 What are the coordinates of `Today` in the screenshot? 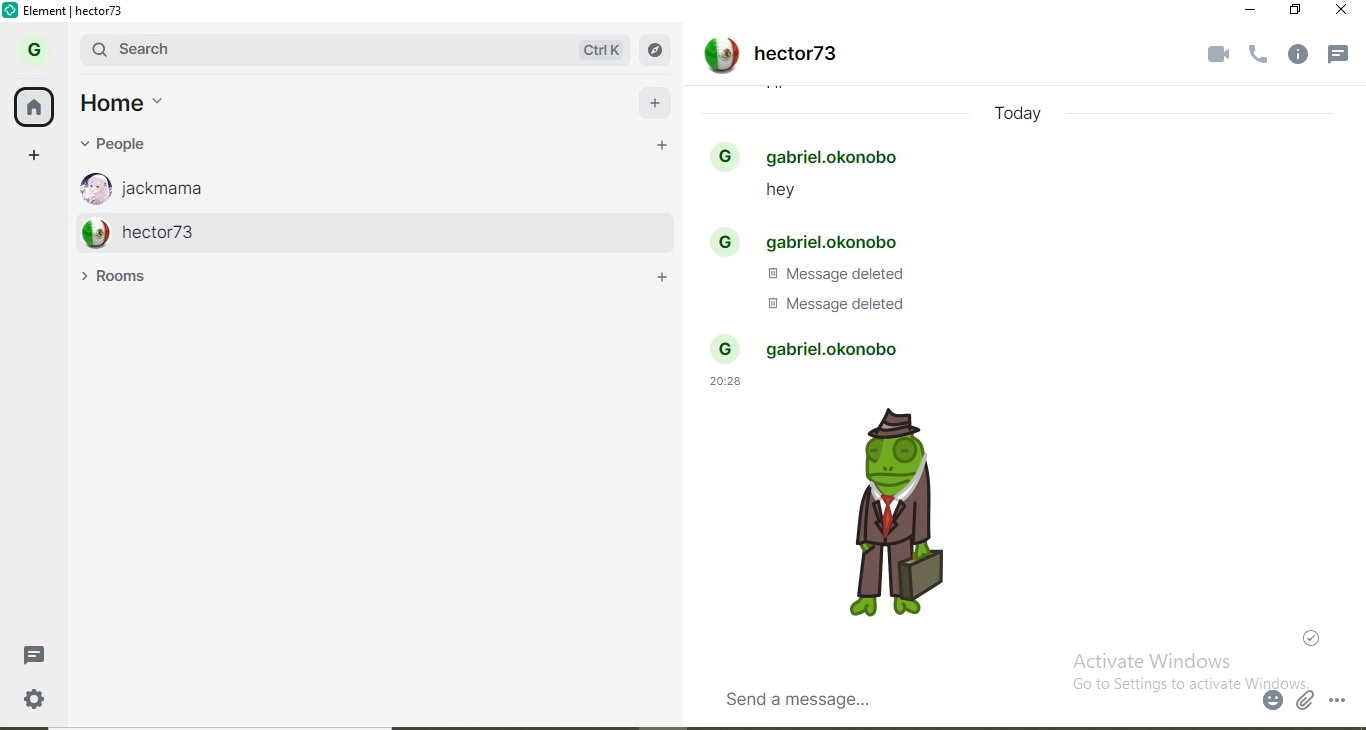 It's located at (1019, 113).